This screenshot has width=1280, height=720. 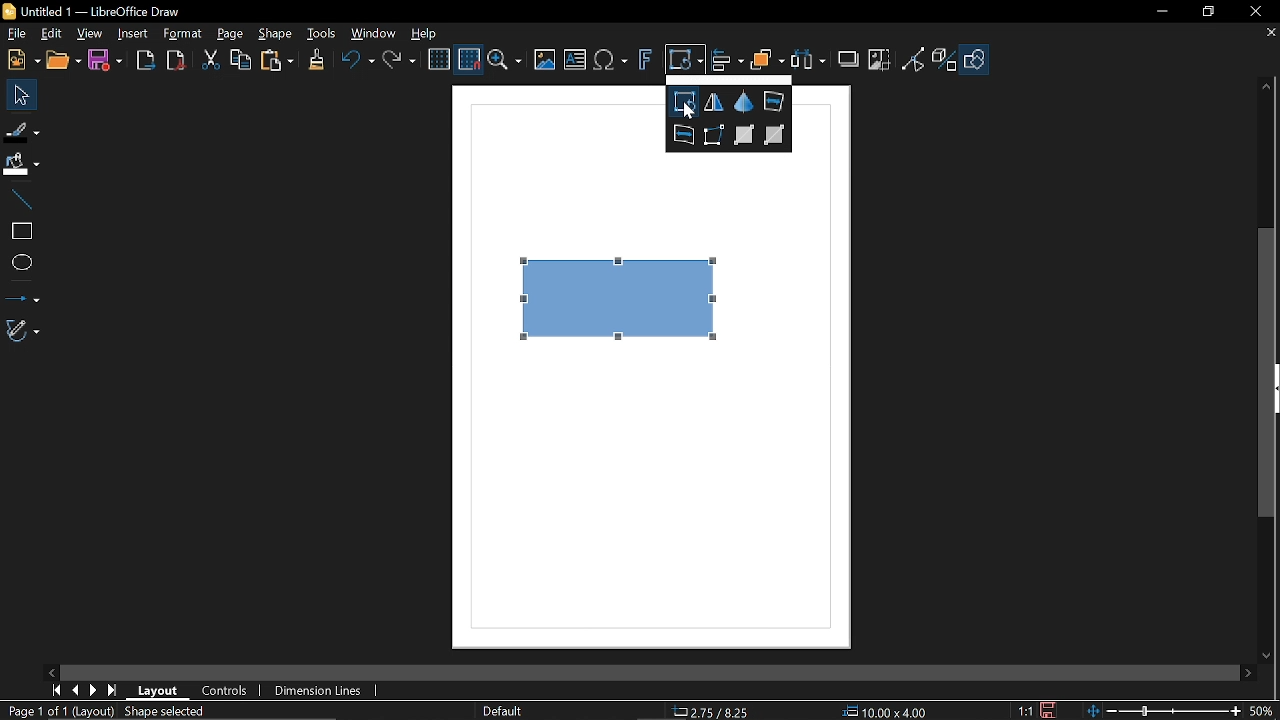 What do you see at coordinates (370, 35) in the screenshot?
I see `Window` at bounding box center [370, 35].